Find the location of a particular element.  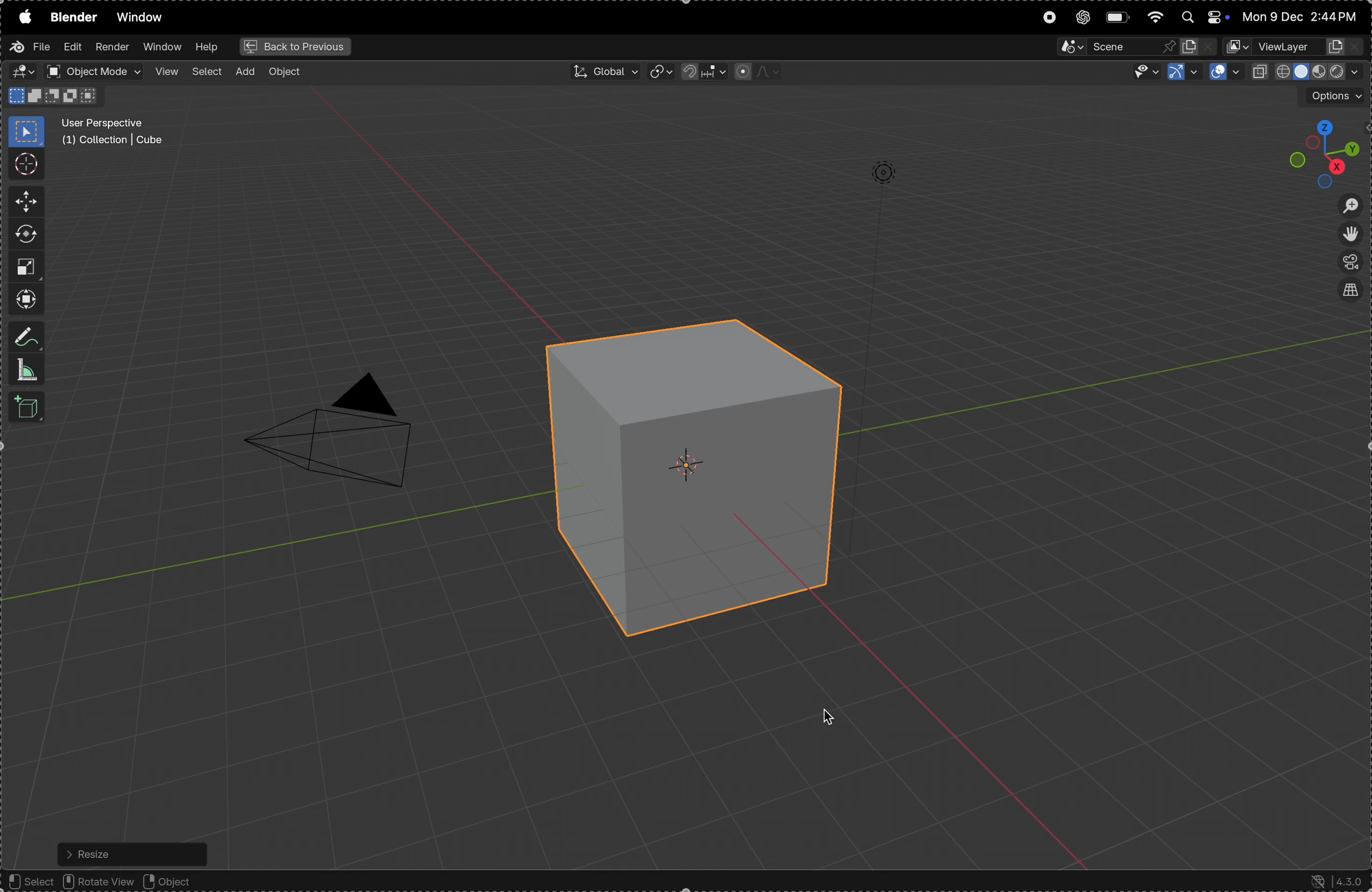

record is located at coordinates (1047, 20).